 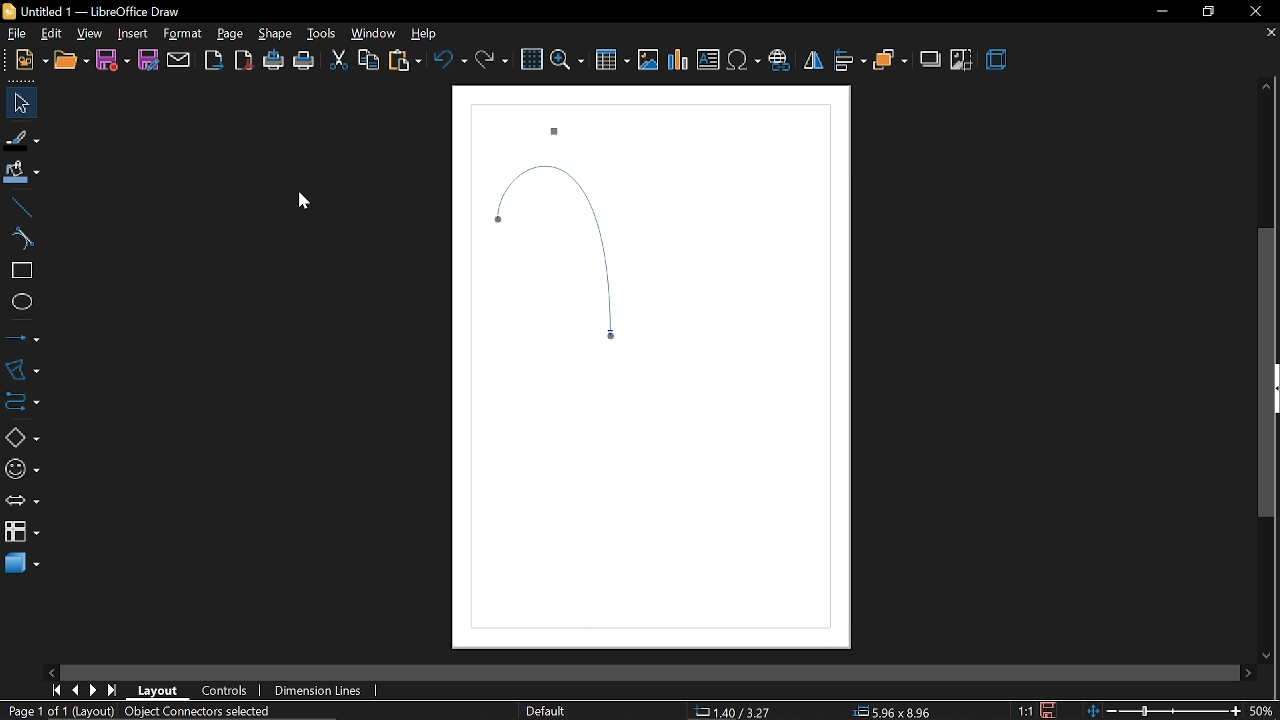 What do you see at coordinates (492, 62) in the screenshot?
I see `redo` at bounding box center [492, 62].